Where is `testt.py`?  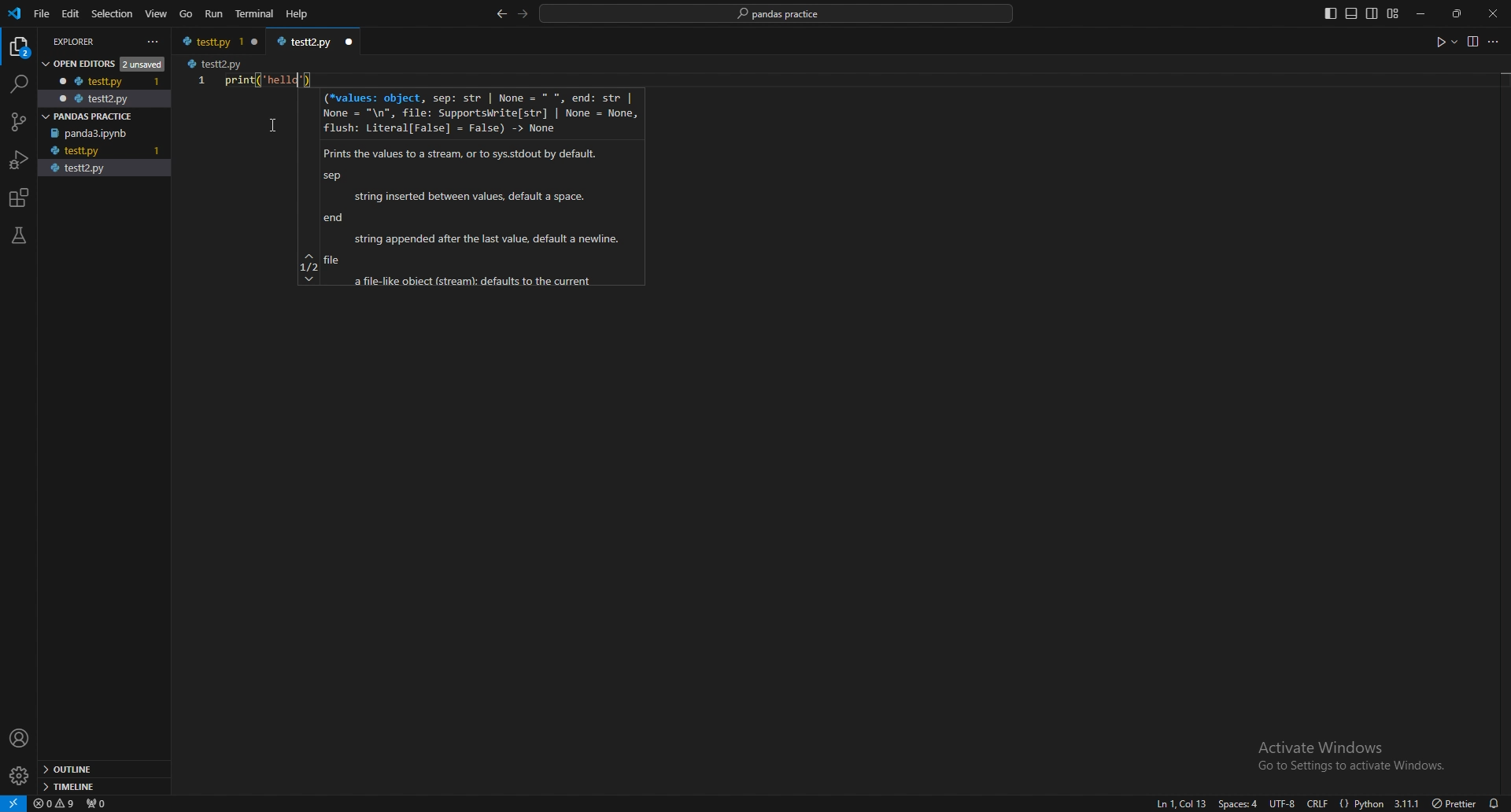
testt.py is located at coordinates (95, 80).